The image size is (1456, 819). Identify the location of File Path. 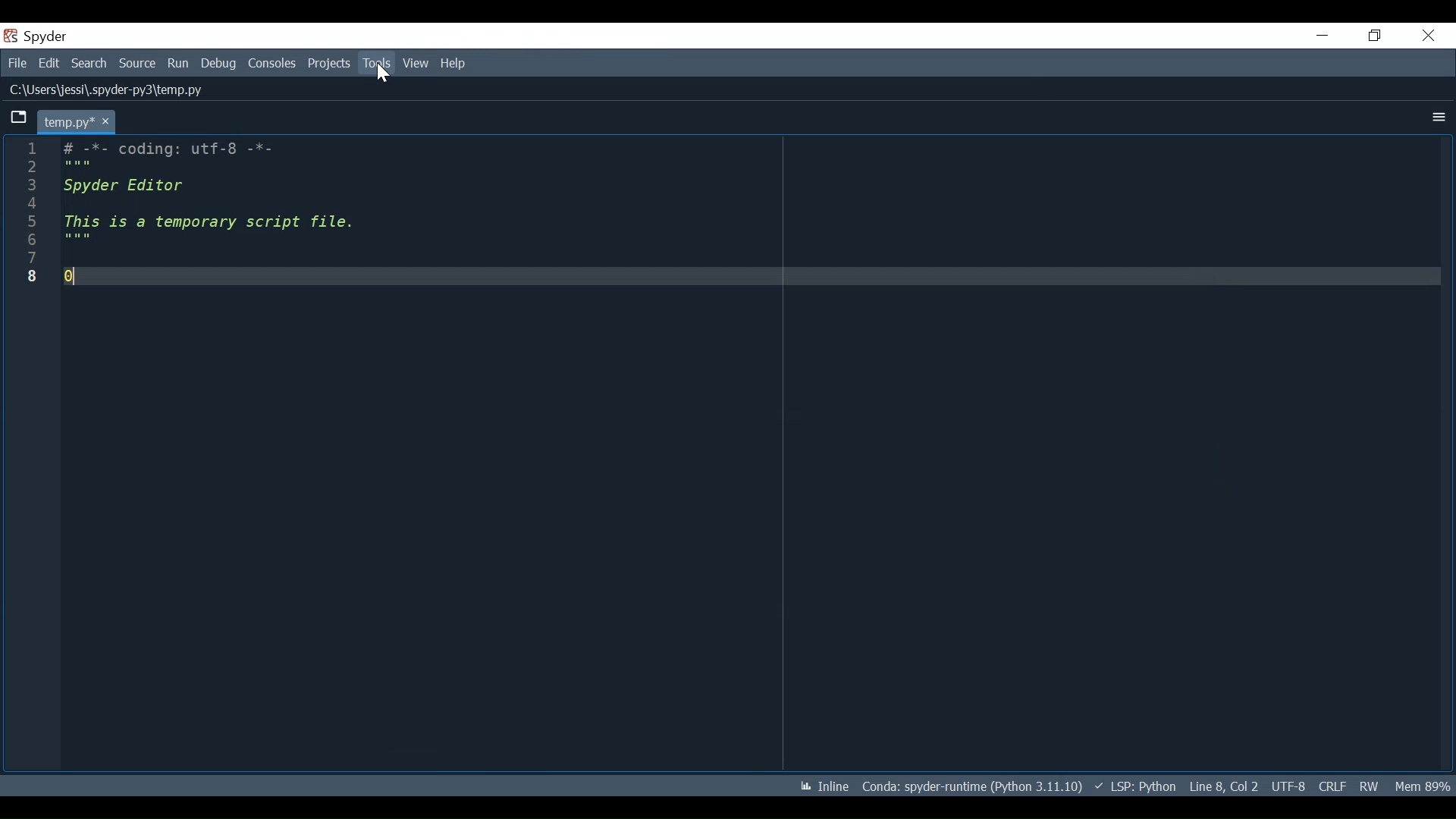
(115, 88).